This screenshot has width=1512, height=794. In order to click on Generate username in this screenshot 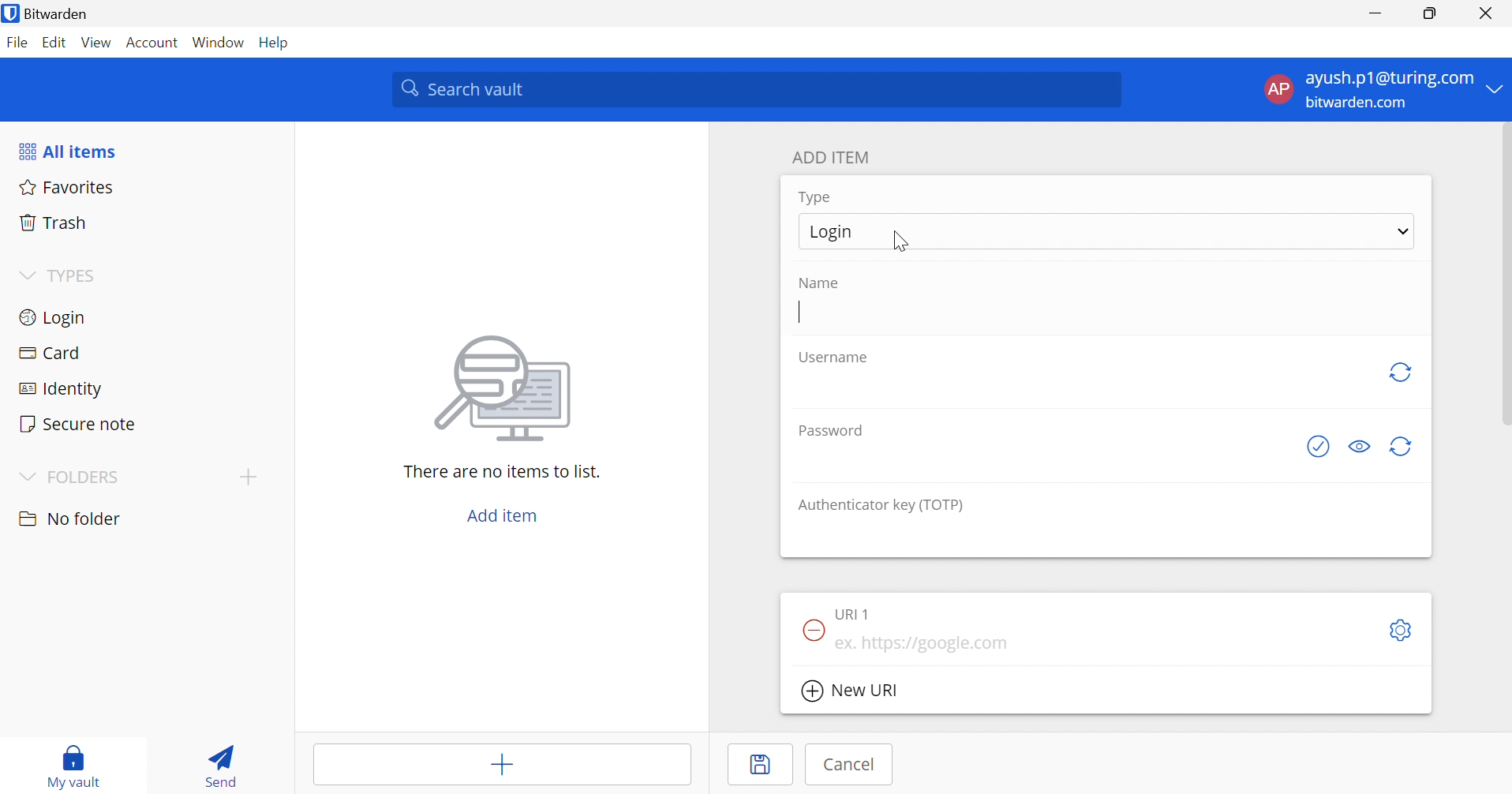, I will do `click(1400, 372)`.